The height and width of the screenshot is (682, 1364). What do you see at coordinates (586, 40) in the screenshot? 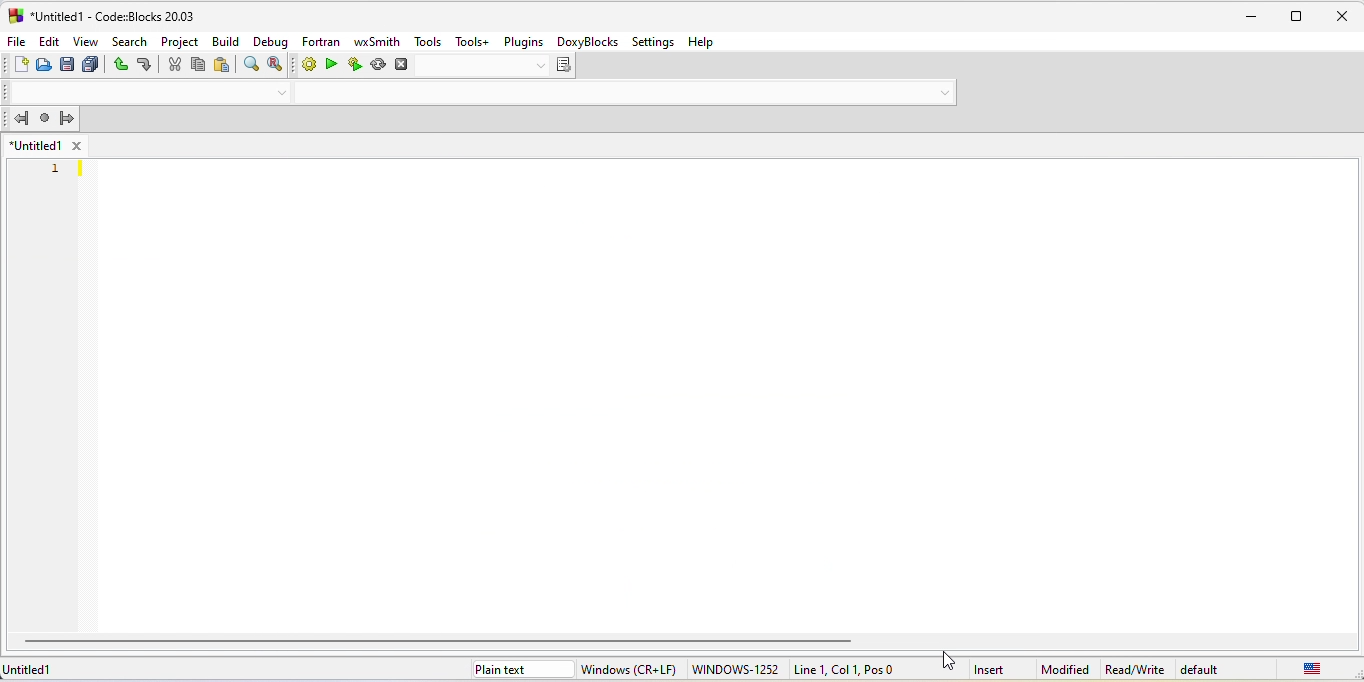
I see `doxyblocks` at bounding box center [586, 40].